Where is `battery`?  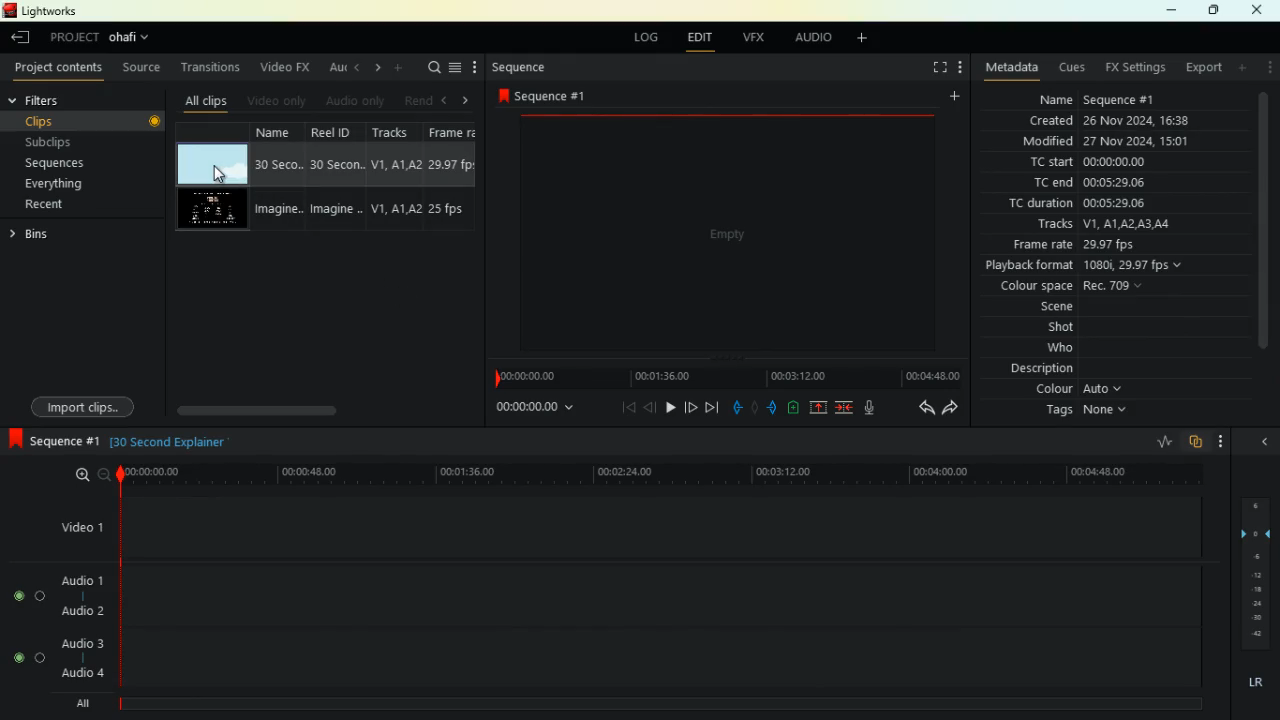 battery is located at coordinates (792, 408).